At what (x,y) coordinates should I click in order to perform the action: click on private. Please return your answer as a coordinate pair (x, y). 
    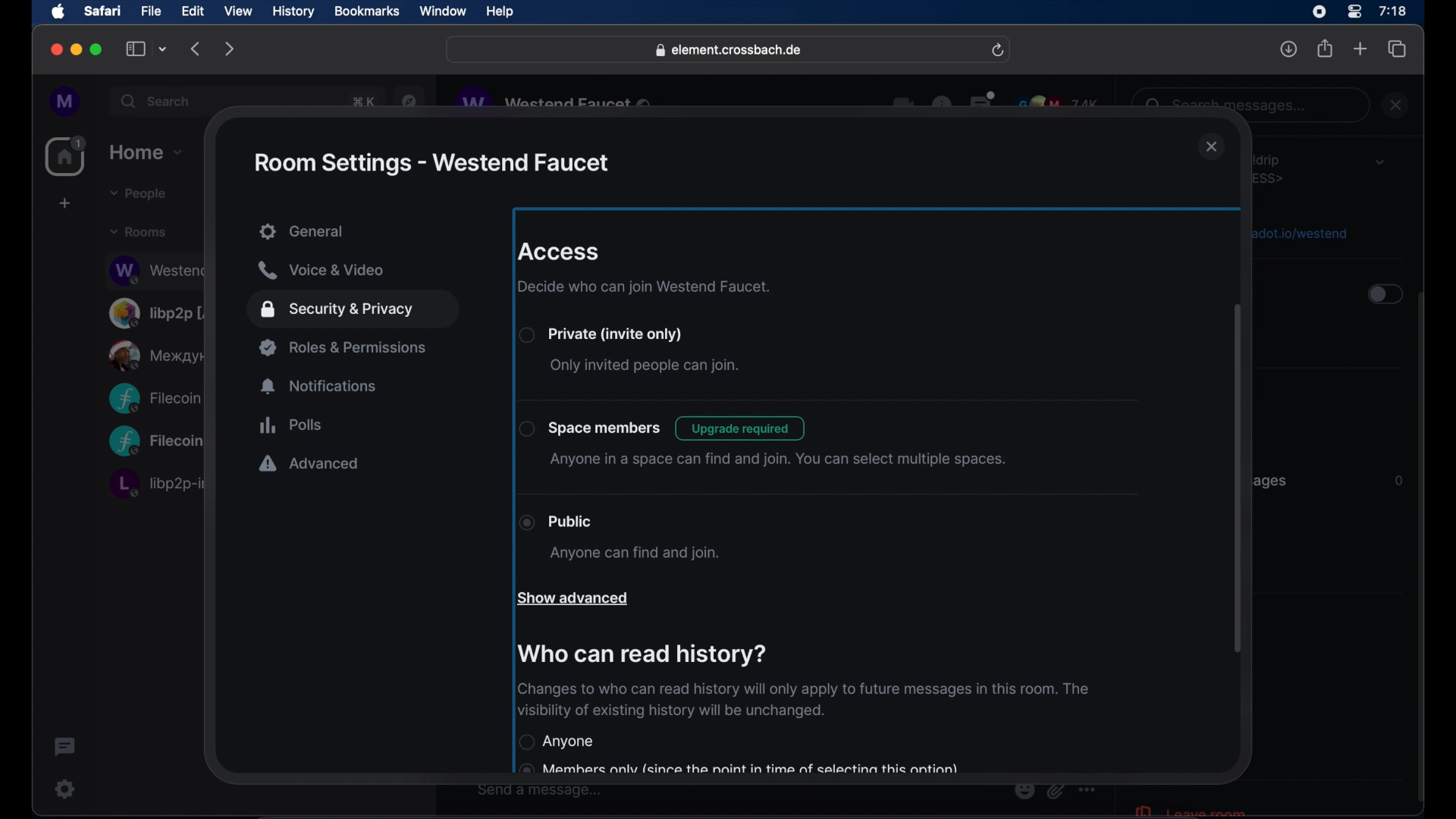
    Looking at the image, I should click on (629, 350).